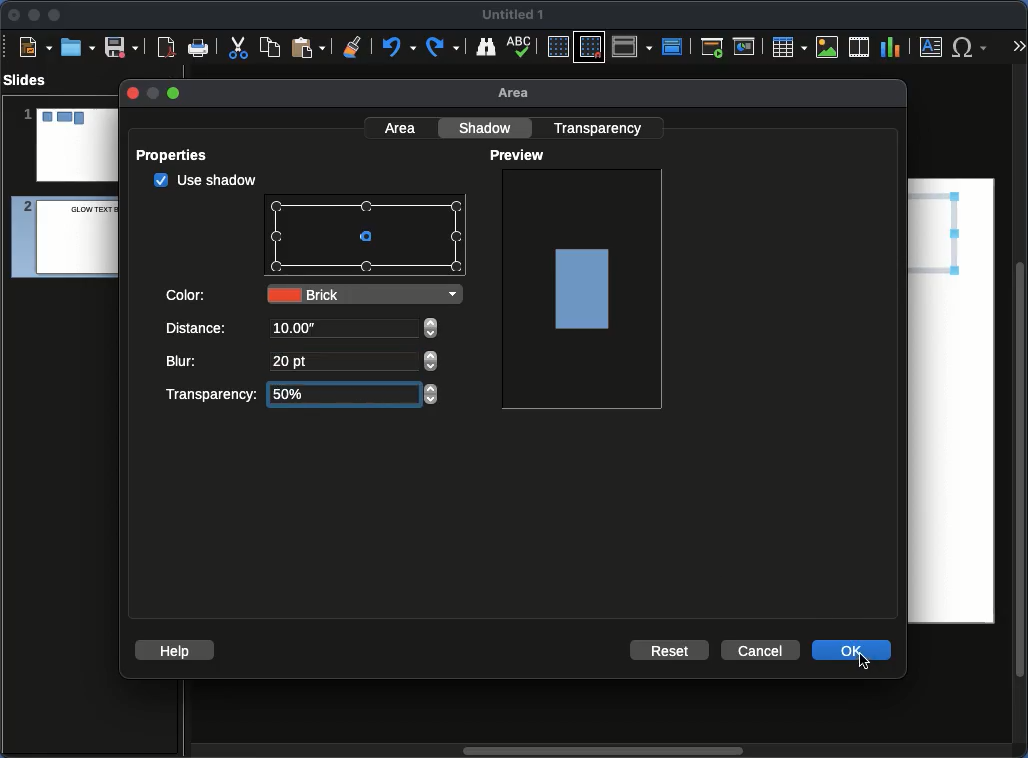  What do you see at coordinates (123, 46) in the screenshot?
I see `Save` at bounding box center [123, 46].